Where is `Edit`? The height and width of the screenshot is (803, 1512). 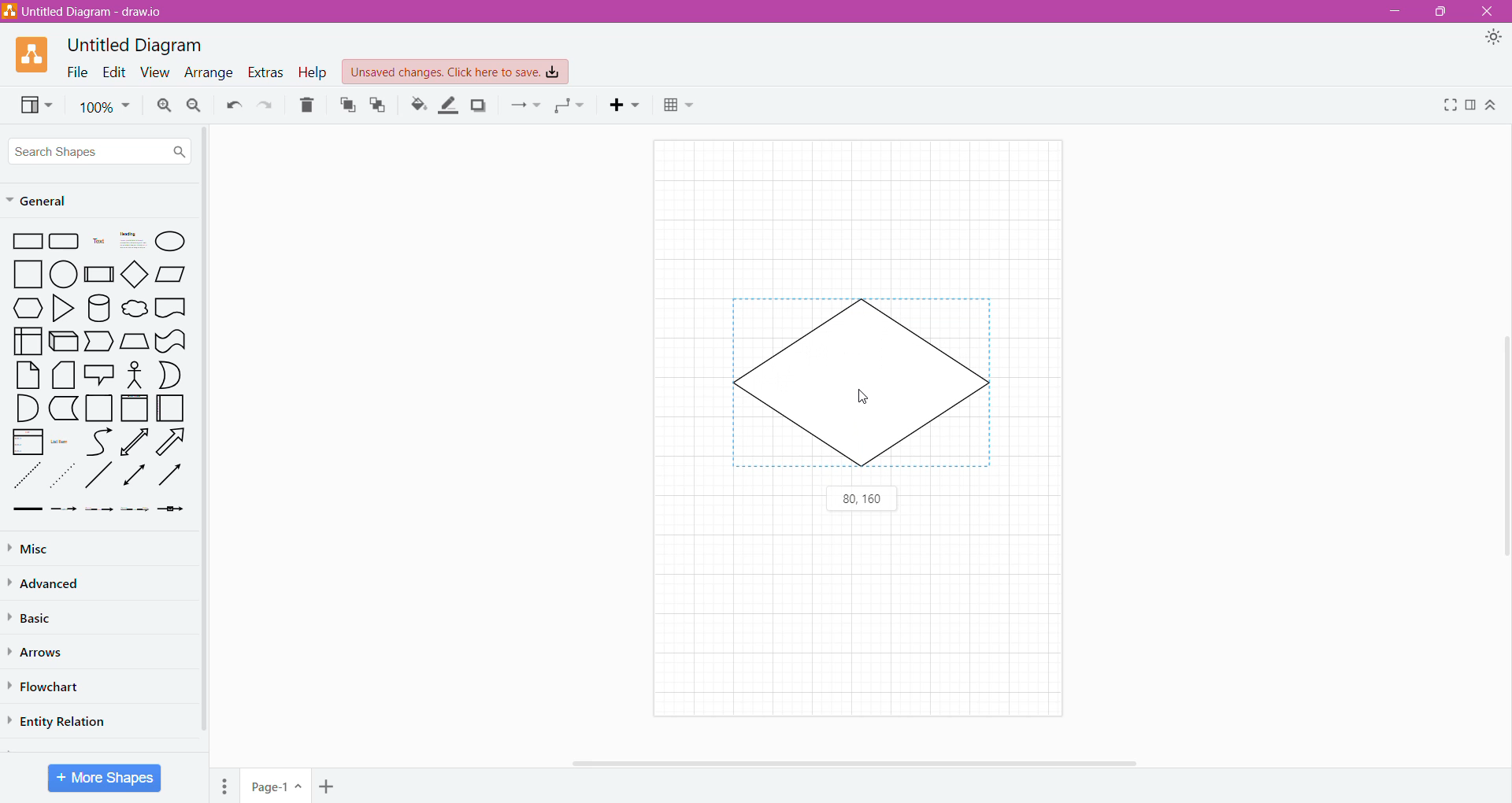
Edit is located at coordinates (111, 72).